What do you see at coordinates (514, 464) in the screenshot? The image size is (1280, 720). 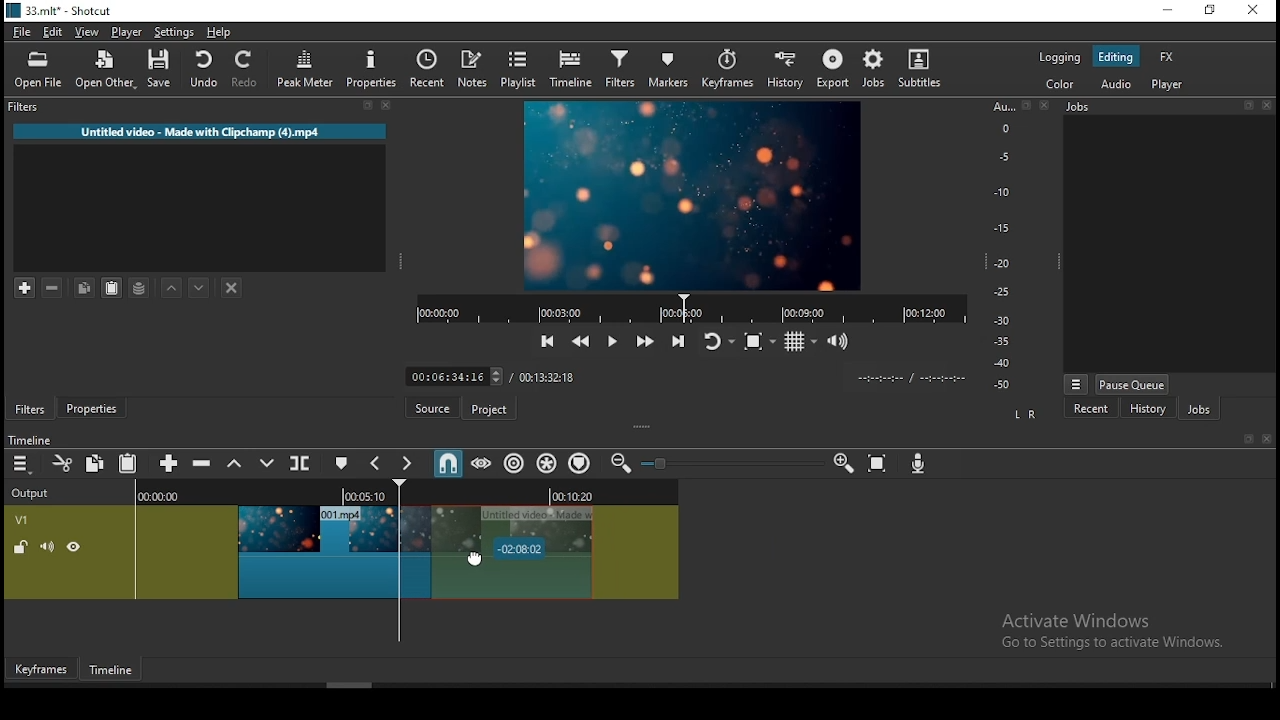 I see `ripple` at bounding box center [514, 464].